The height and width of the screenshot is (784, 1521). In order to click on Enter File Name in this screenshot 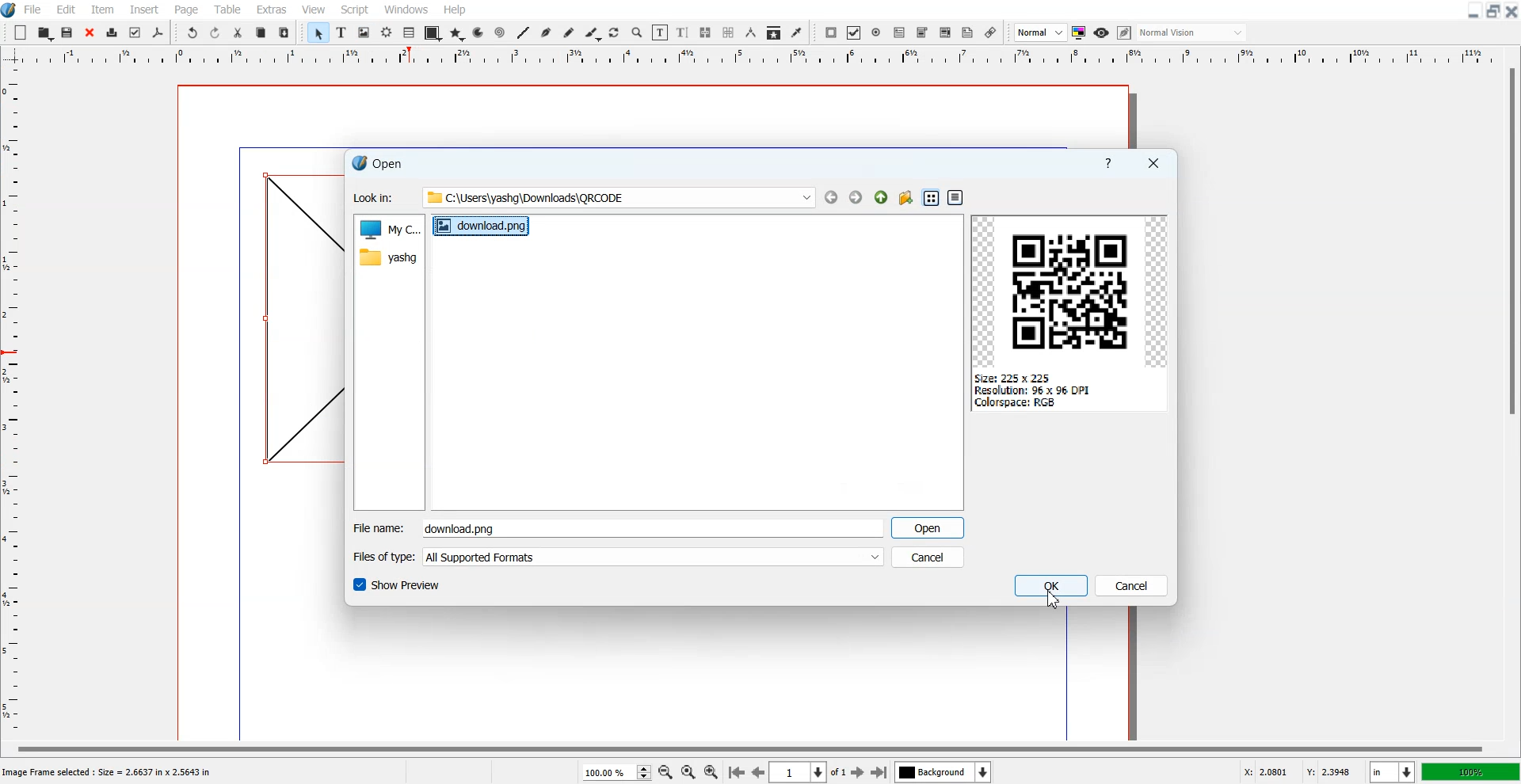, I will do `click(615, 527)`.